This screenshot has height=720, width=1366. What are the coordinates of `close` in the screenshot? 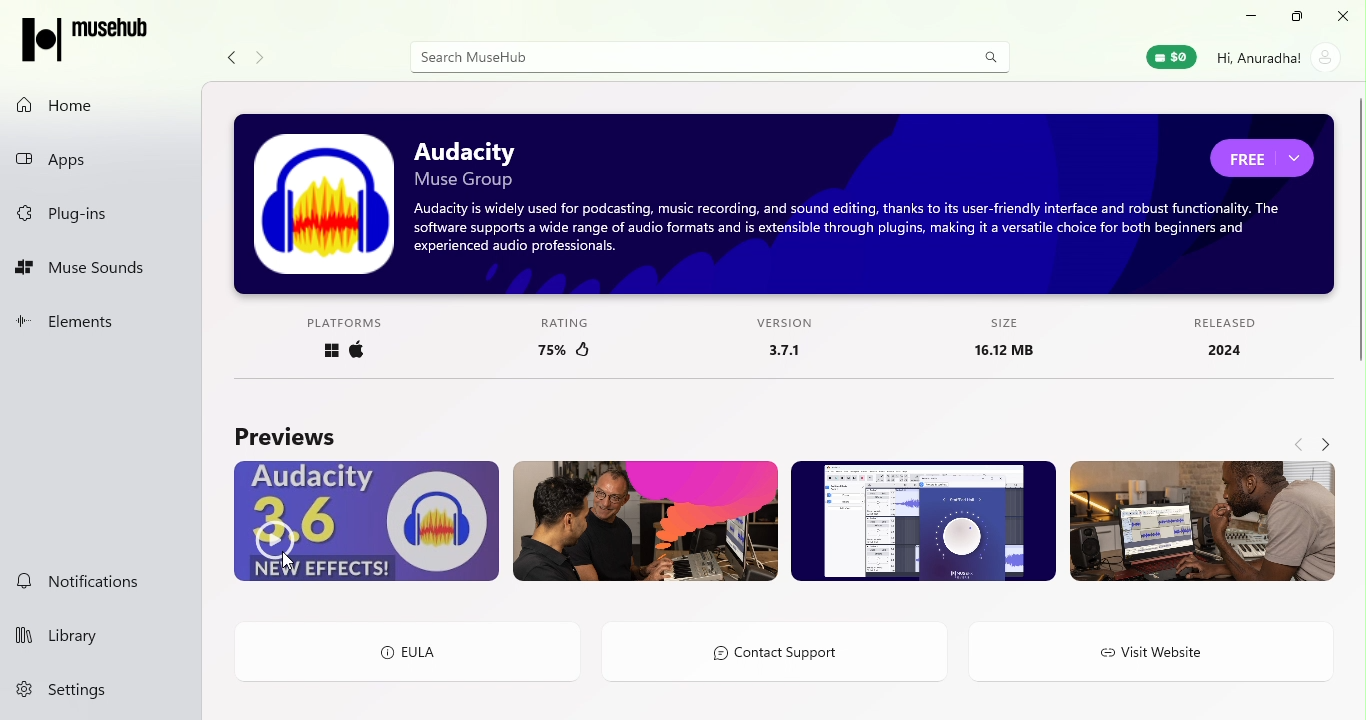 It's located at (1344, 16).